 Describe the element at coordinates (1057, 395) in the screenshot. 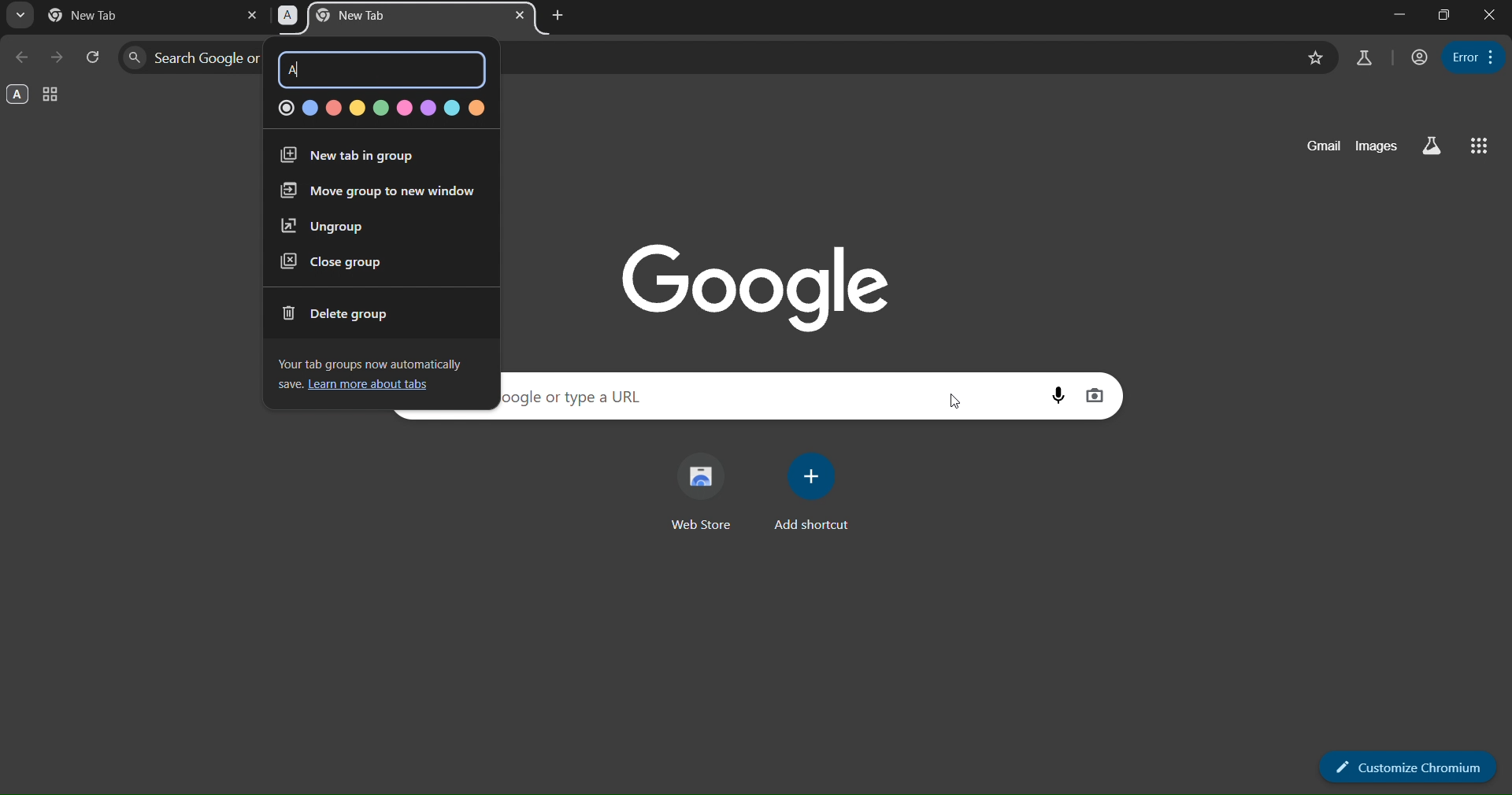

I see `voice search` at that location.